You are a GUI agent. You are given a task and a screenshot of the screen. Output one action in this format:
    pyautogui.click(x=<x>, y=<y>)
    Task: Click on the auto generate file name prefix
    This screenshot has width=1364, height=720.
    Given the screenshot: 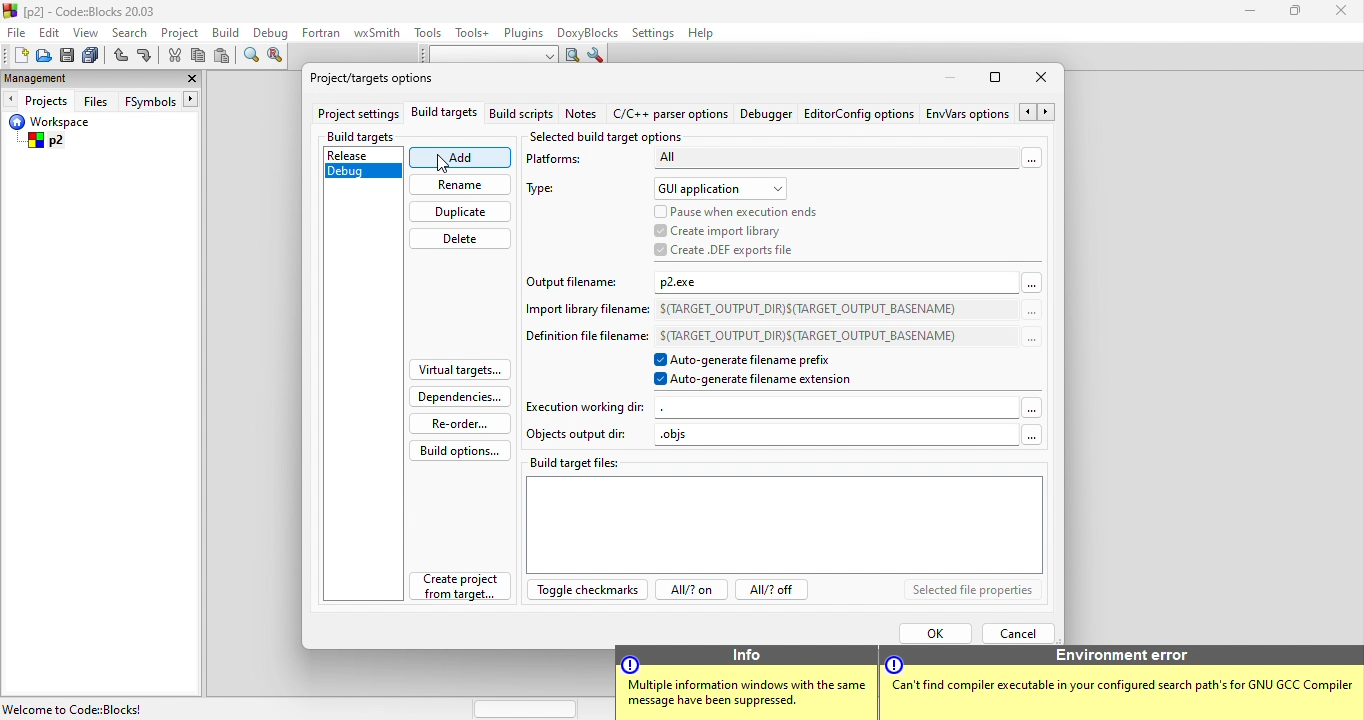 What is the action you would take?
    pyautogui.click(x=757, y=359)
    